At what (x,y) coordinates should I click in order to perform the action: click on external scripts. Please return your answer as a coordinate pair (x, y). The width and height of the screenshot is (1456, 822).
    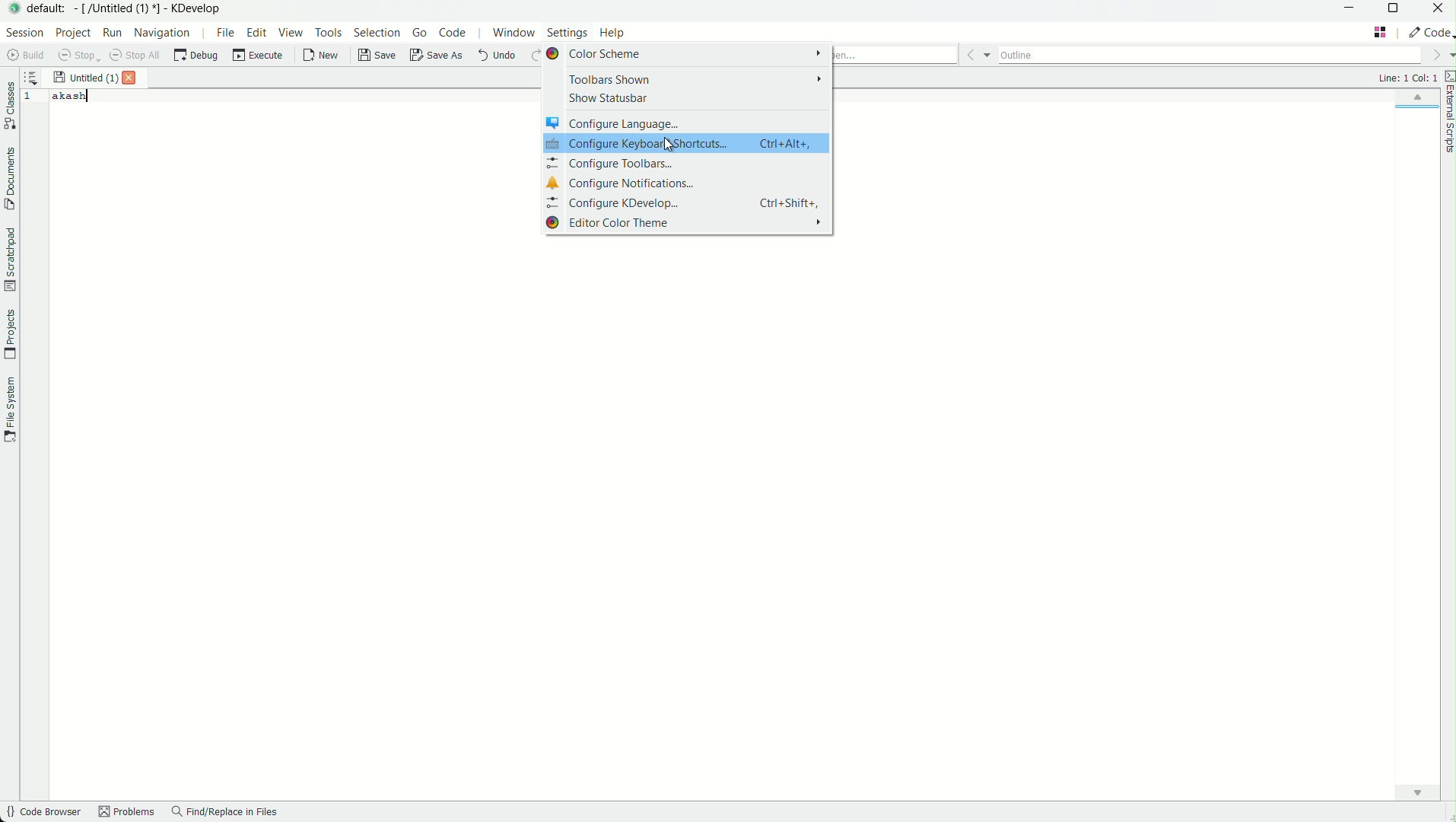
    Looking at the image, I should click on (1447, 114).